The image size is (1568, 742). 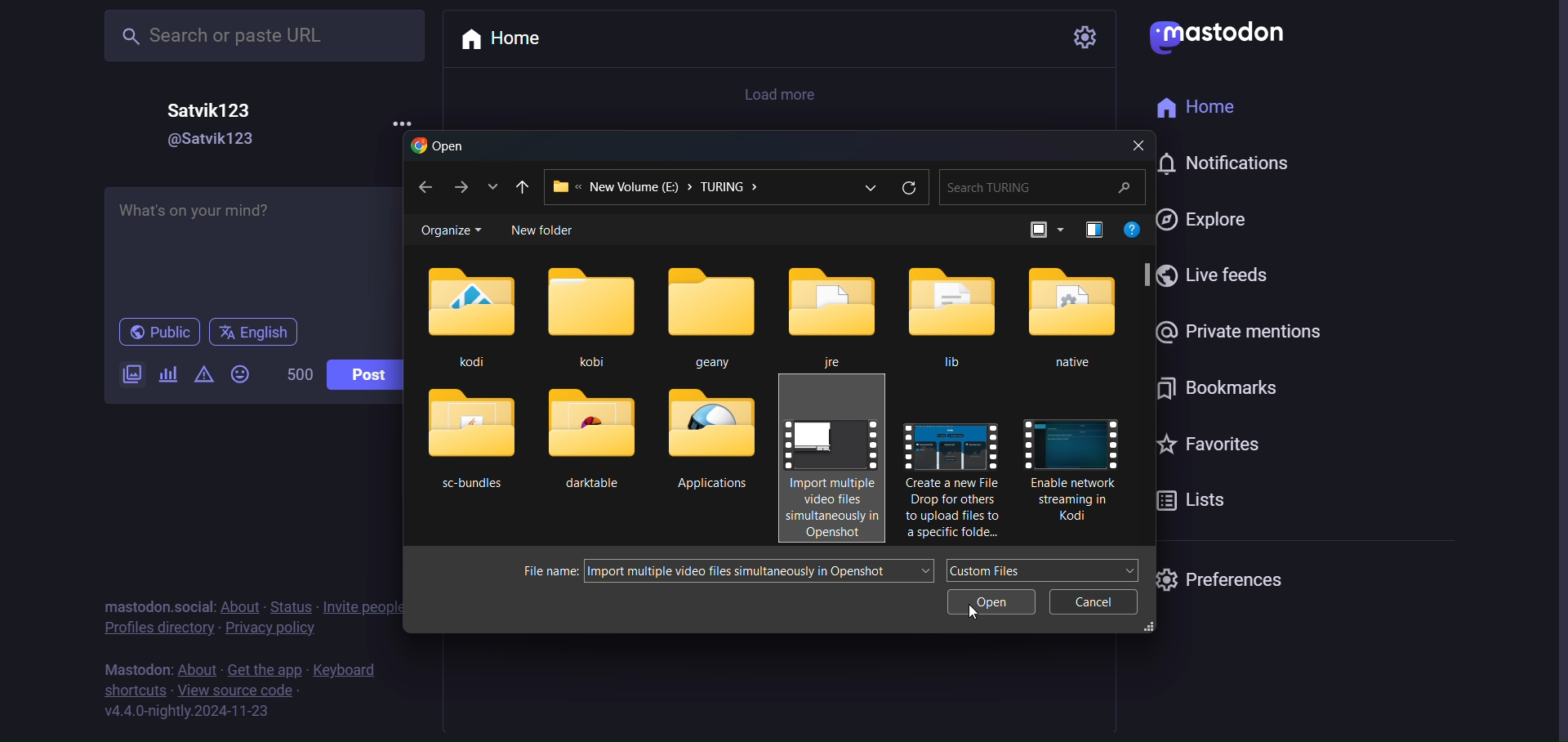 I want to click on Custom Files, so click(x=991, y=569).